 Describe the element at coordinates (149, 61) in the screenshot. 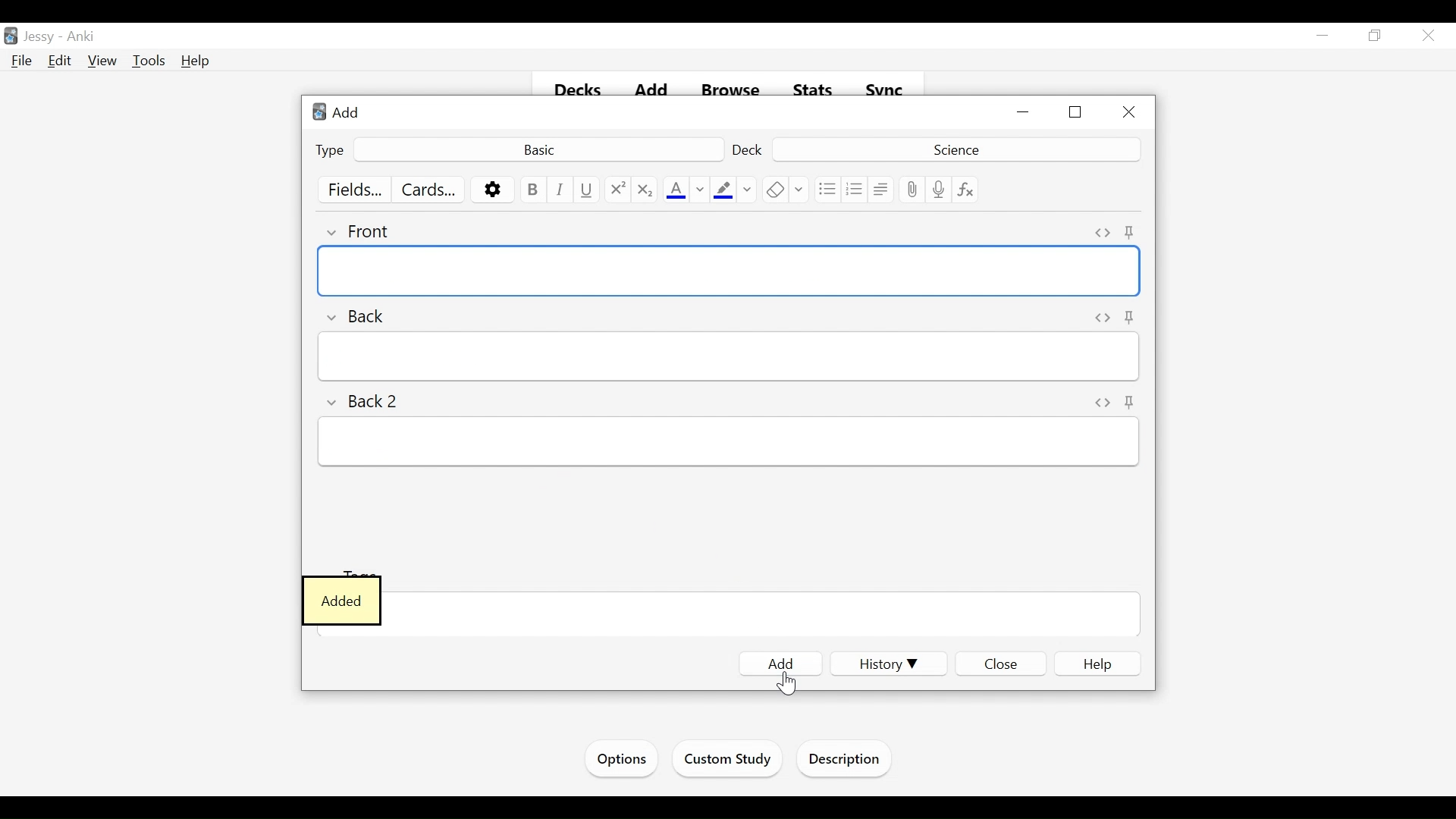

I see `Tools` at that location.